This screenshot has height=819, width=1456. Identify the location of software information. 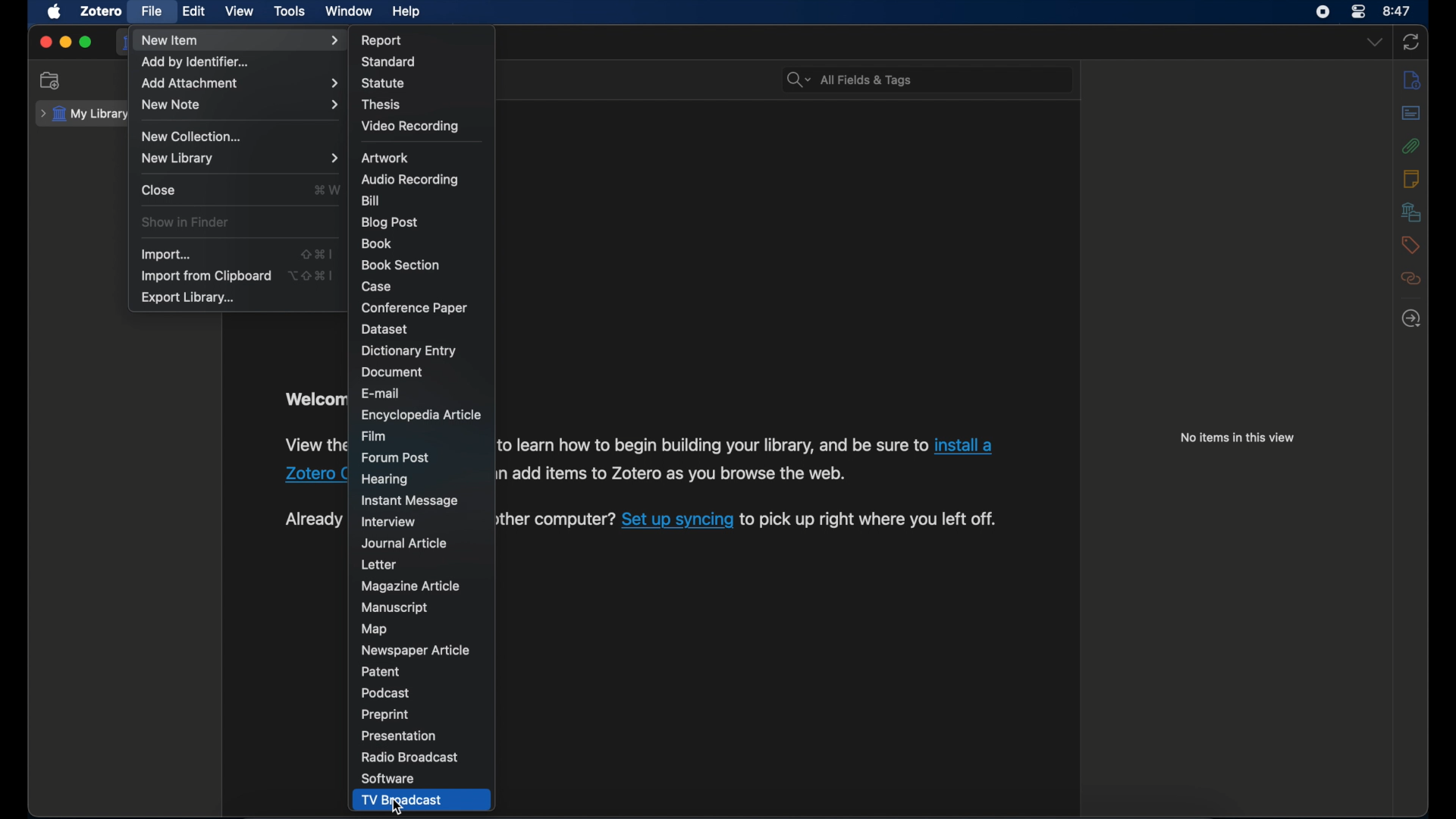
(557, 524).